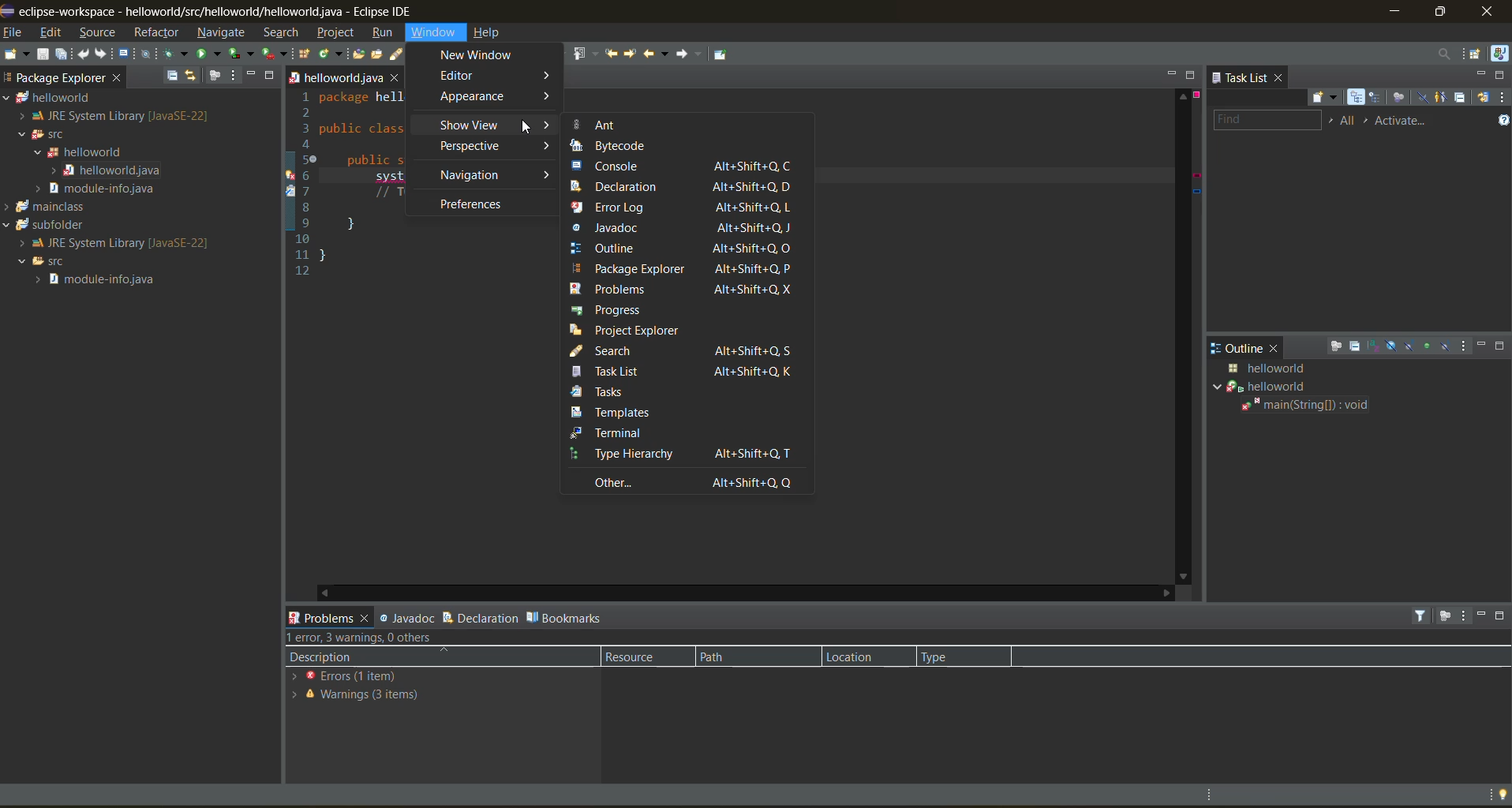  I want to click on tasks, so click(611, 390).